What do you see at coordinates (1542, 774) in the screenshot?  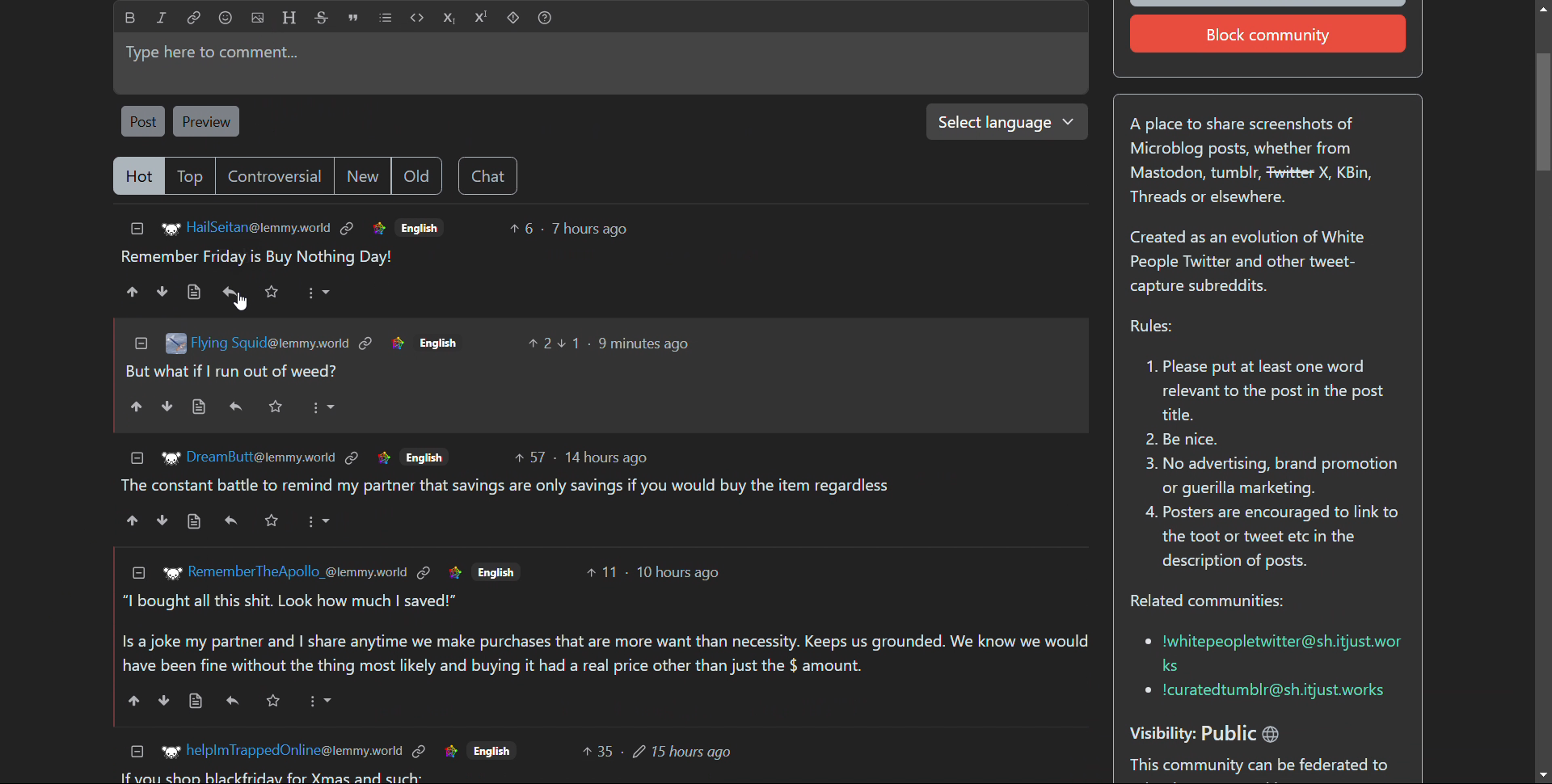 I see `scroll down` at bounding box center [1542, 774].